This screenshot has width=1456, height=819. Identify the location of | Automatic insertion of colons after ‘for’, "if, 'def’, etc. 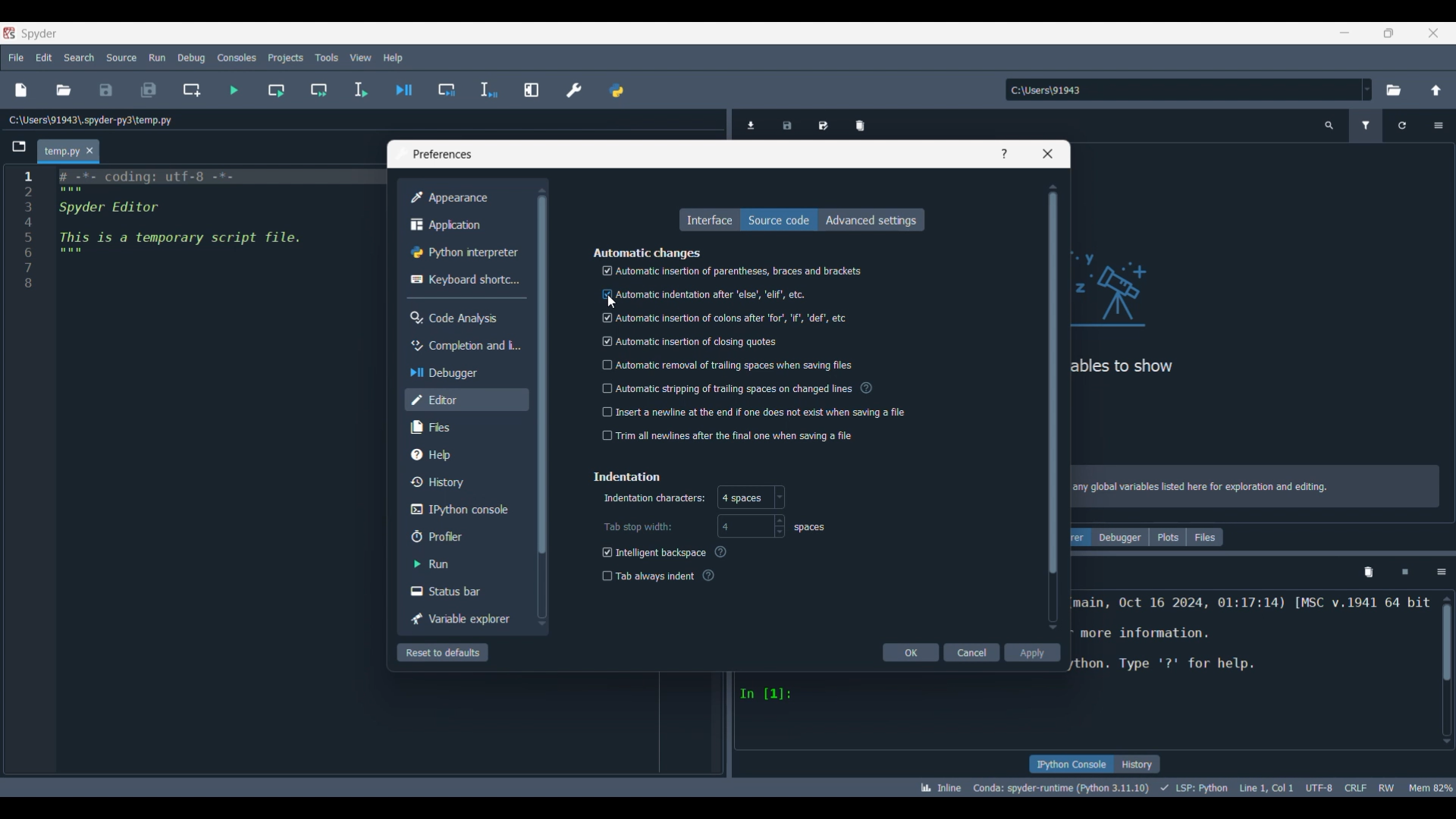
(726, 319).